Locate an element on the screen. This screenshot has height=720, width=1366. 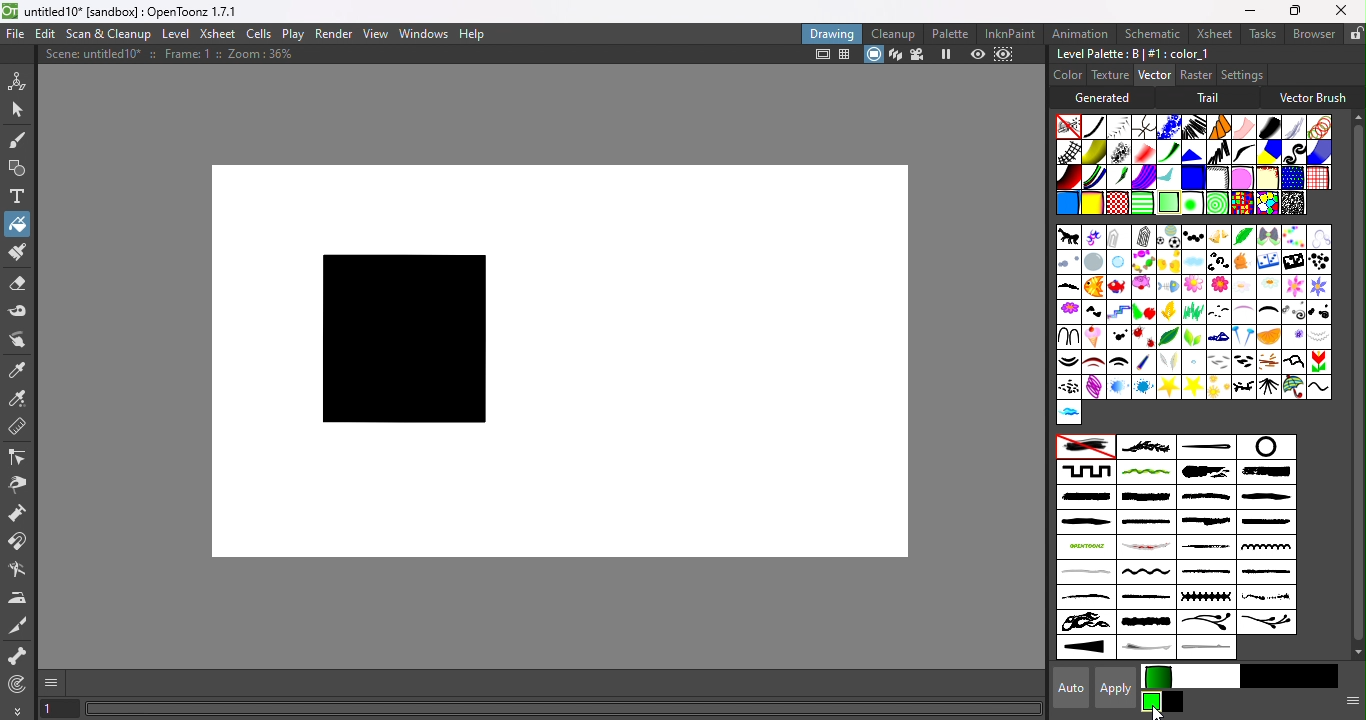
rain is located at coordinates (1193, 361).